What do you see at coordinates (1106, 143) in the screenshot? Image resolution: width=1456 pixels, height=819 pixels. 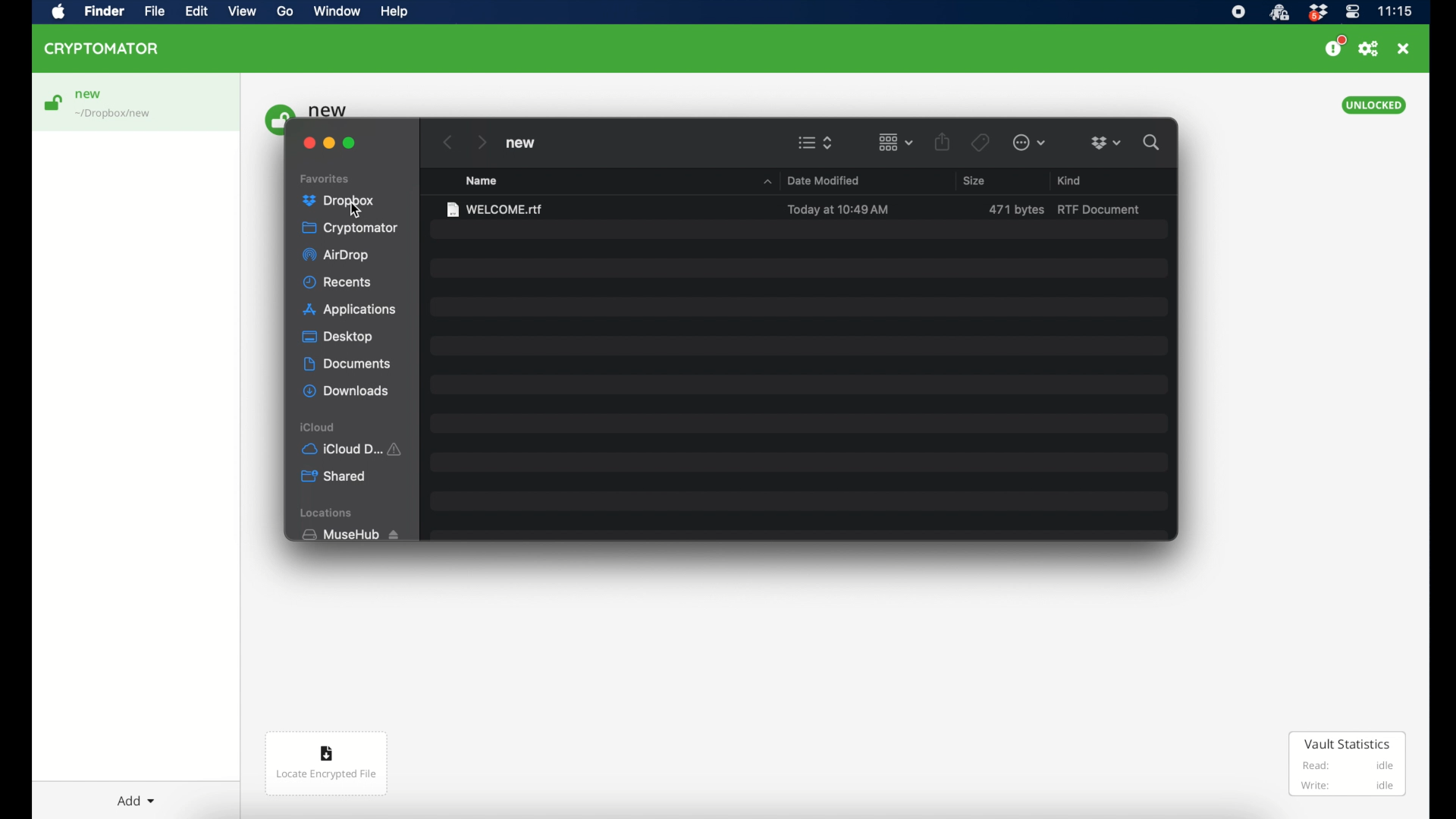 I see `dropbox` at bounding box center [1106, 143].